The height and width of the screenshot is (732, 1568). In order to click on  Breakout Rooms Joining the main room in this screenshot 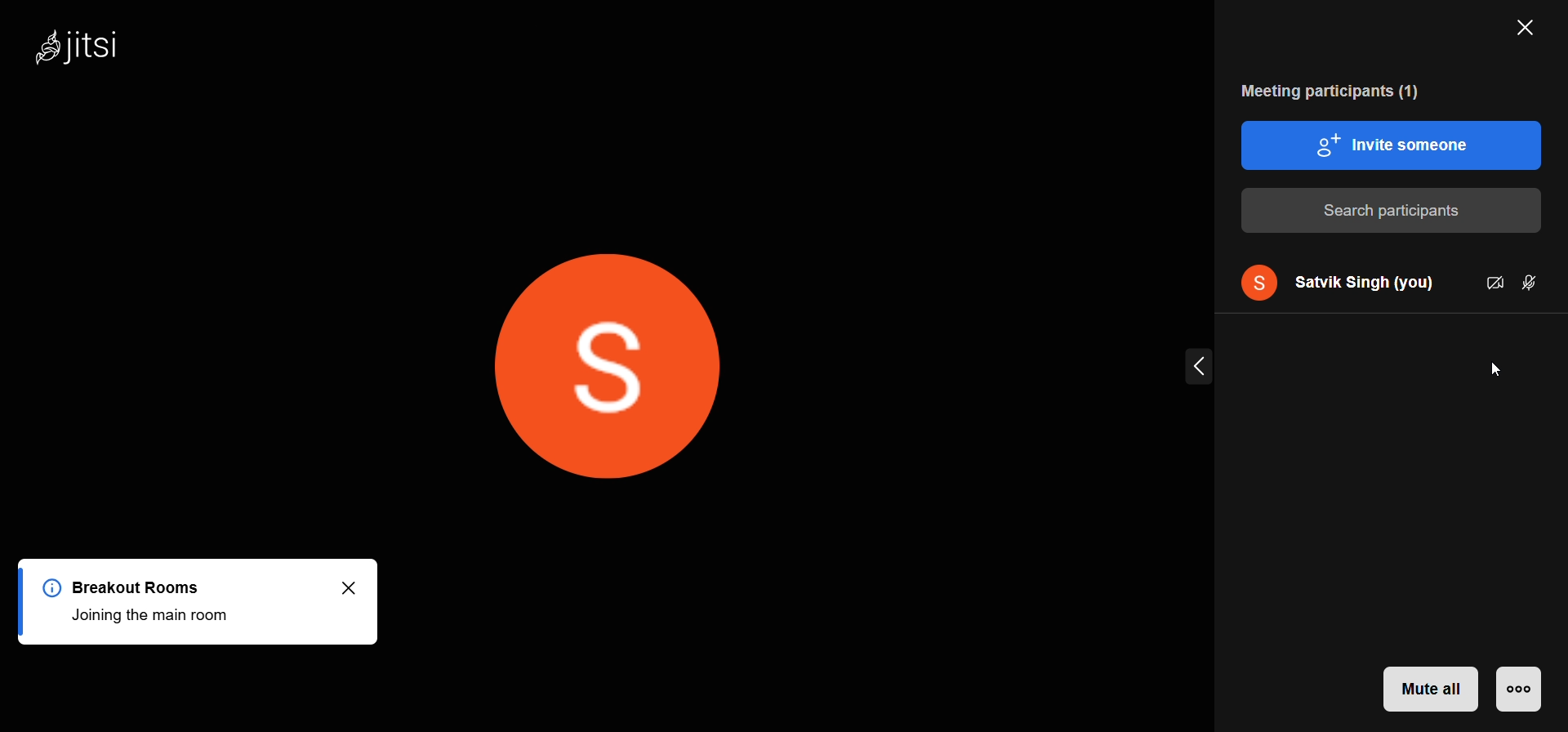, I will do `click(141, 600)`.